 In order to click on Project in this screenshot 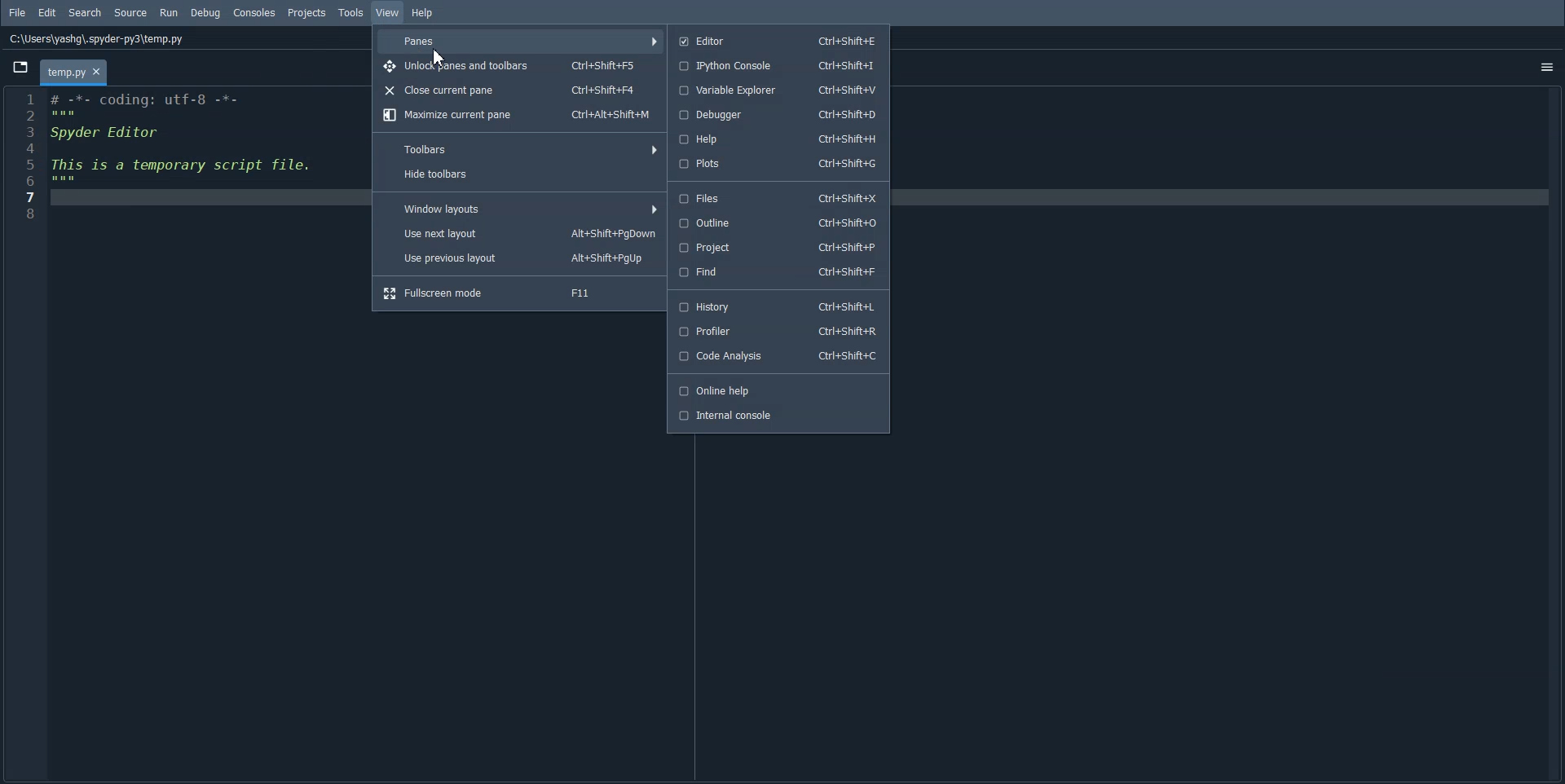, I will do `click(778, 249)`.